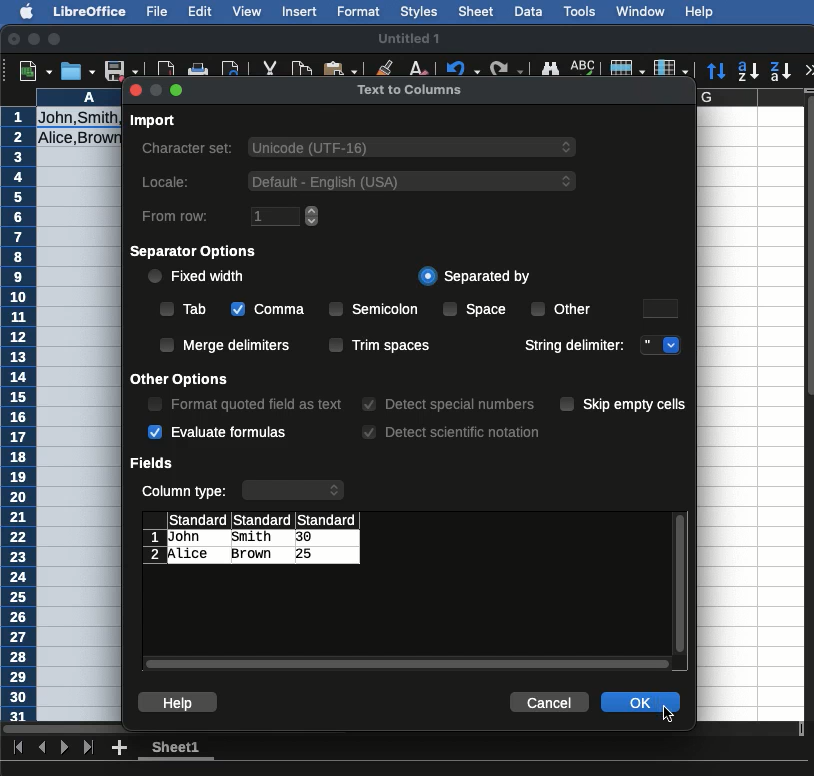 Image resolution: width=814 pixels, height=776 pixels. I want to click on Open, so click(79, 71).